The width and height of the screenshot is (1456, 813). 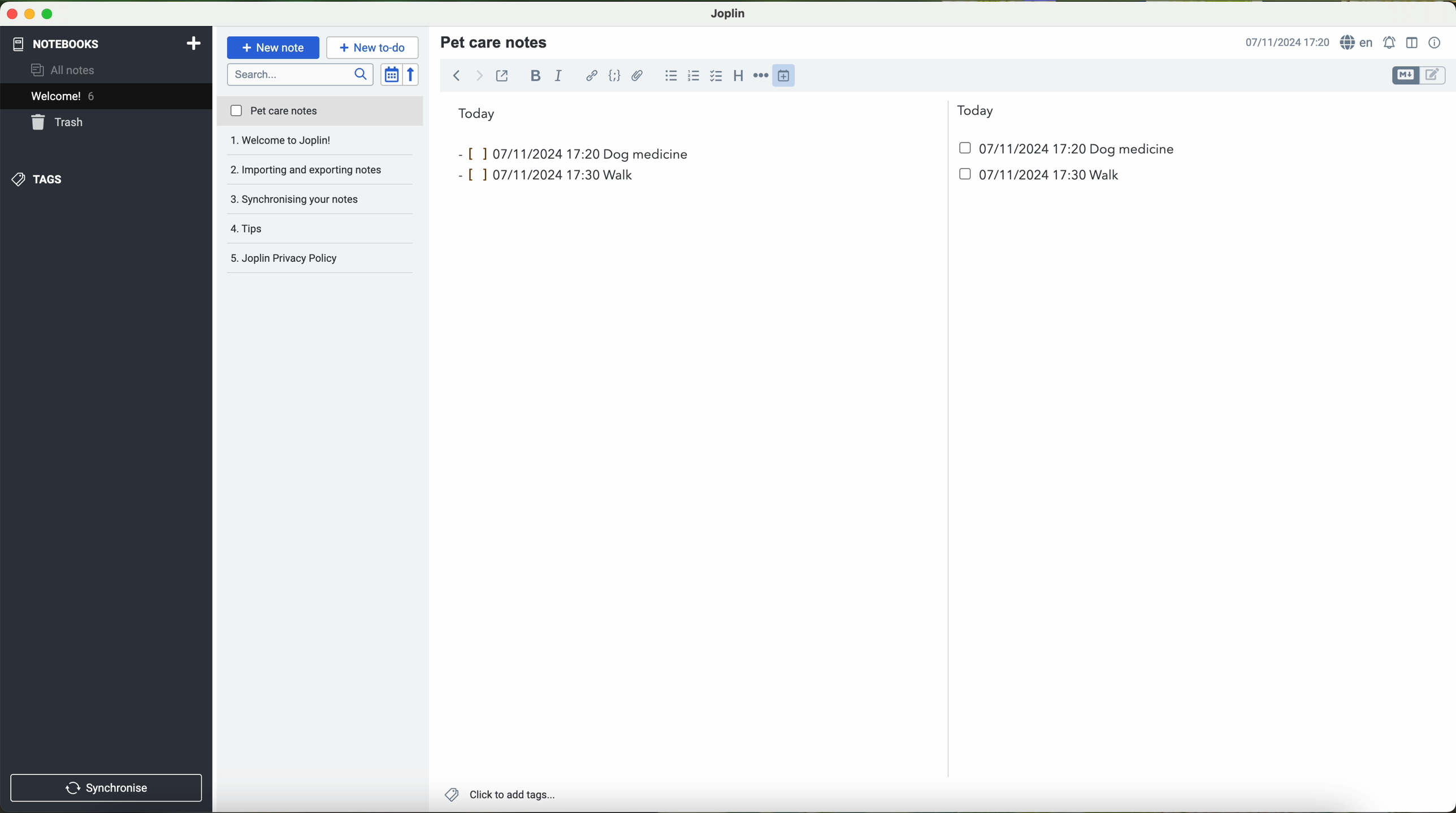 What do you see at coordinates (502, 75) in the screenshot?
I see `toggle external editing` at bounding box center [502, 75].